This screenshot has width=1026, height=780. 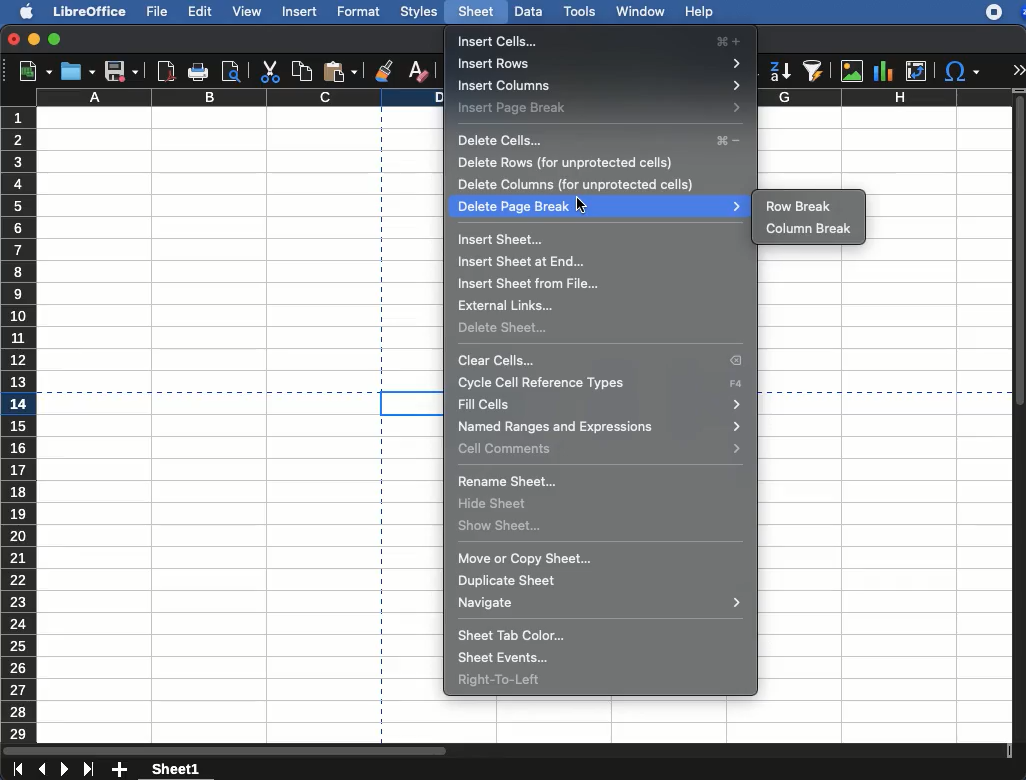 What do you see at coordinates (381, 244) in the screenshot?
I see `page break` at bounding box center [381, 244].